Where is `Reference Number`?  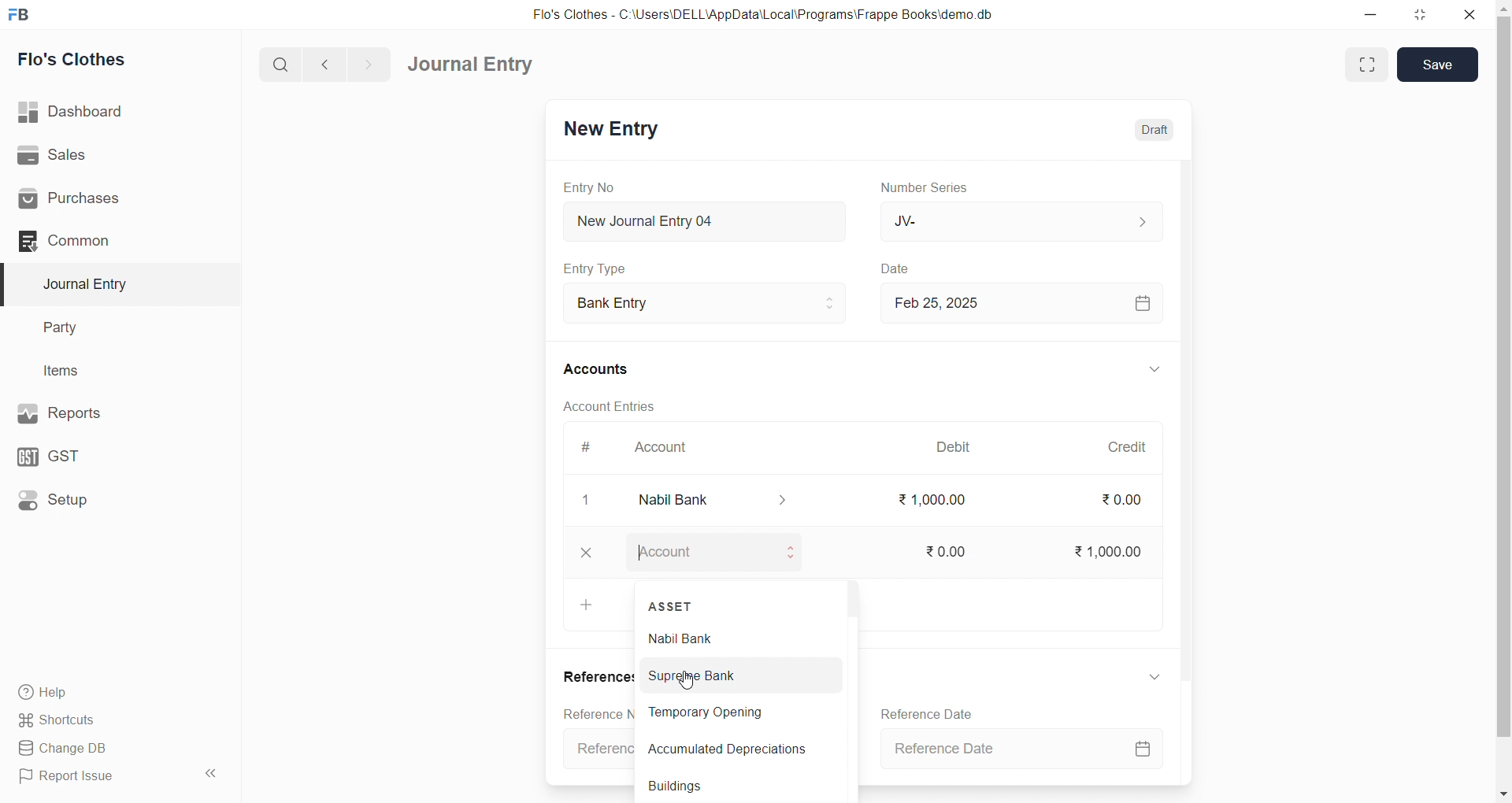 Reference Number is located at coordinates (594, 712).